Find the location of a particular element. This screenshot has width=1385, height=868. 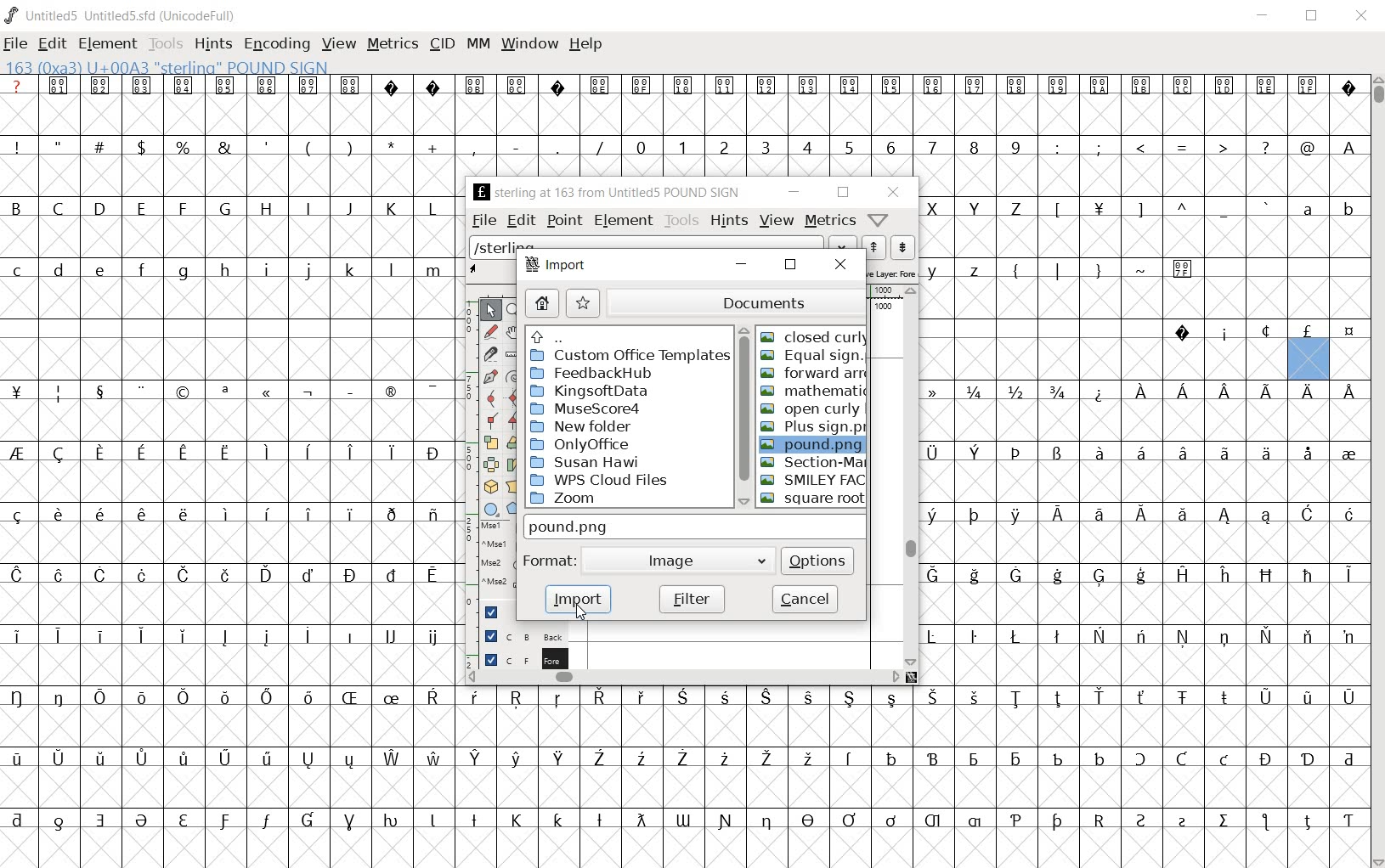

documents is located at coordinates (733, 302).